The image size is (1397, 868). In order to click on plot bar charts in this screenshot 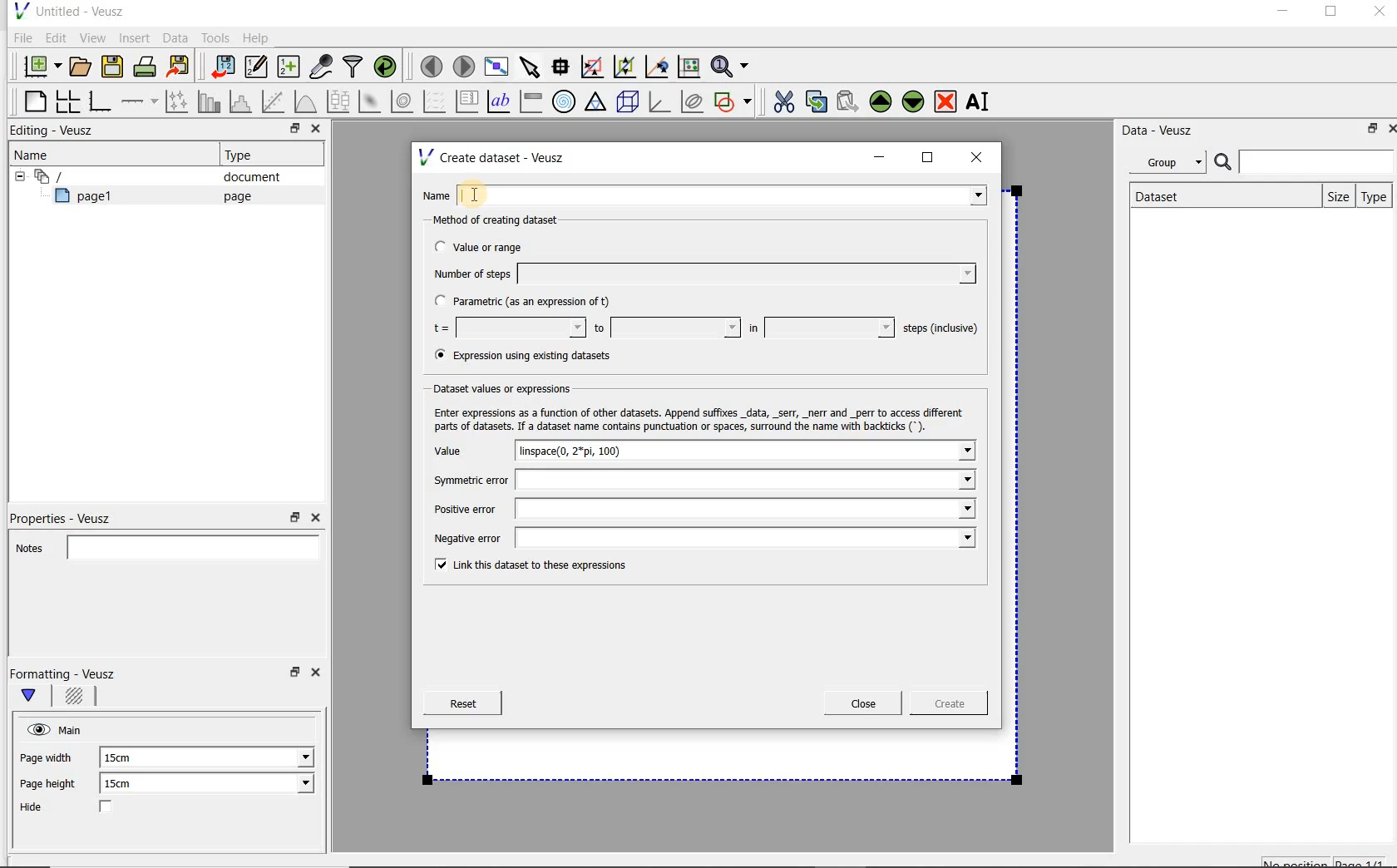, I will do `click(210, 101)`.